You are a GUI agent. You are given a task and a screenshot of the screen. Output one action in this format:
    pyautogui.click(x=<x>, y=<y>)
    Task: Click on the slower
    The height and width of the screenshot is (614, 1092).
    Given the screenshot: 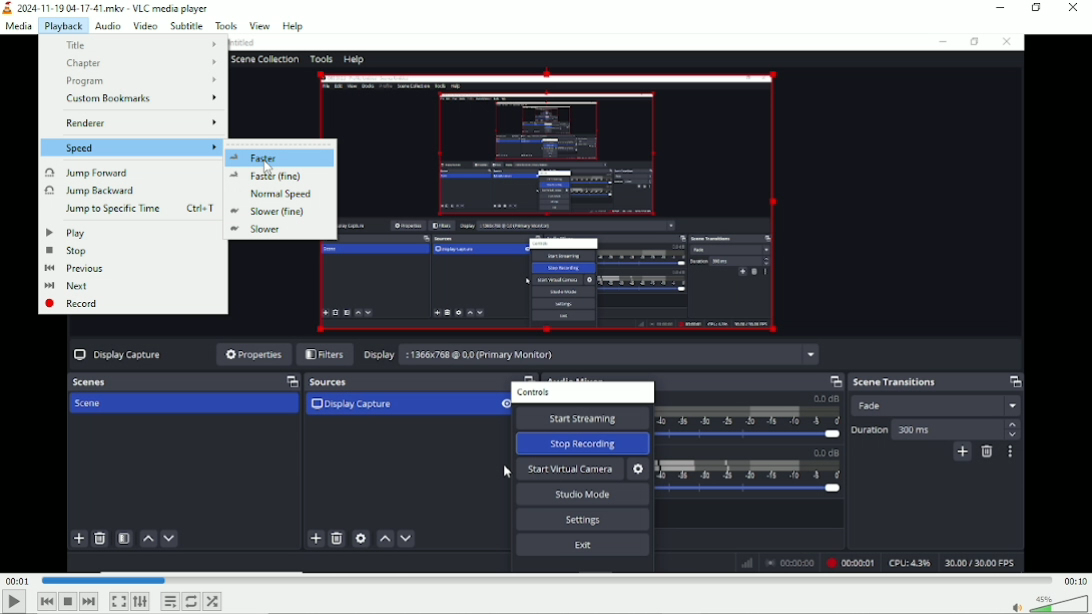 What is the action you would take?
    pyautogui.click(x=279, y=230)
    